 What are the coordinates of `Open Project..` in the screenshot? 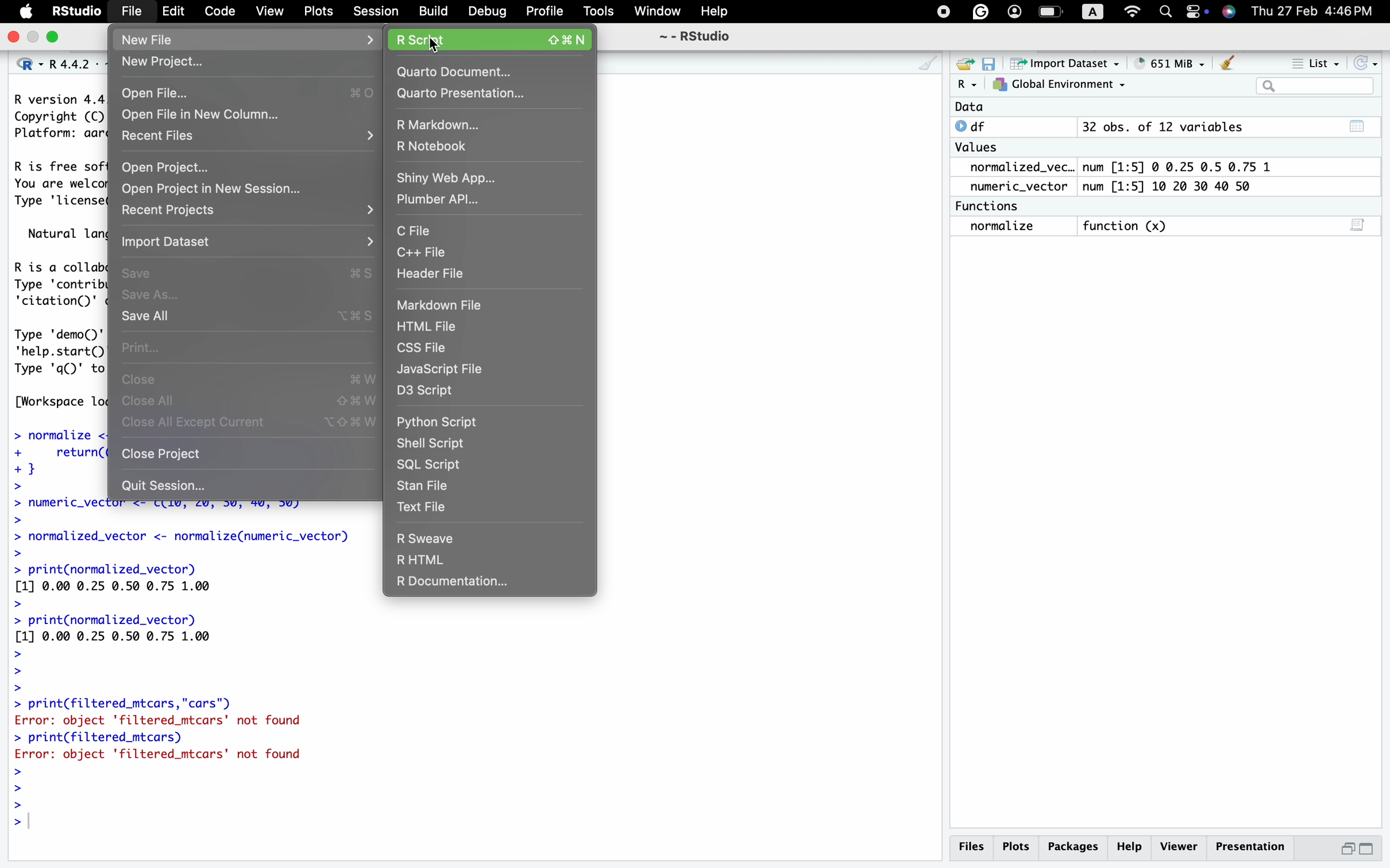 It's located at (204, 164).